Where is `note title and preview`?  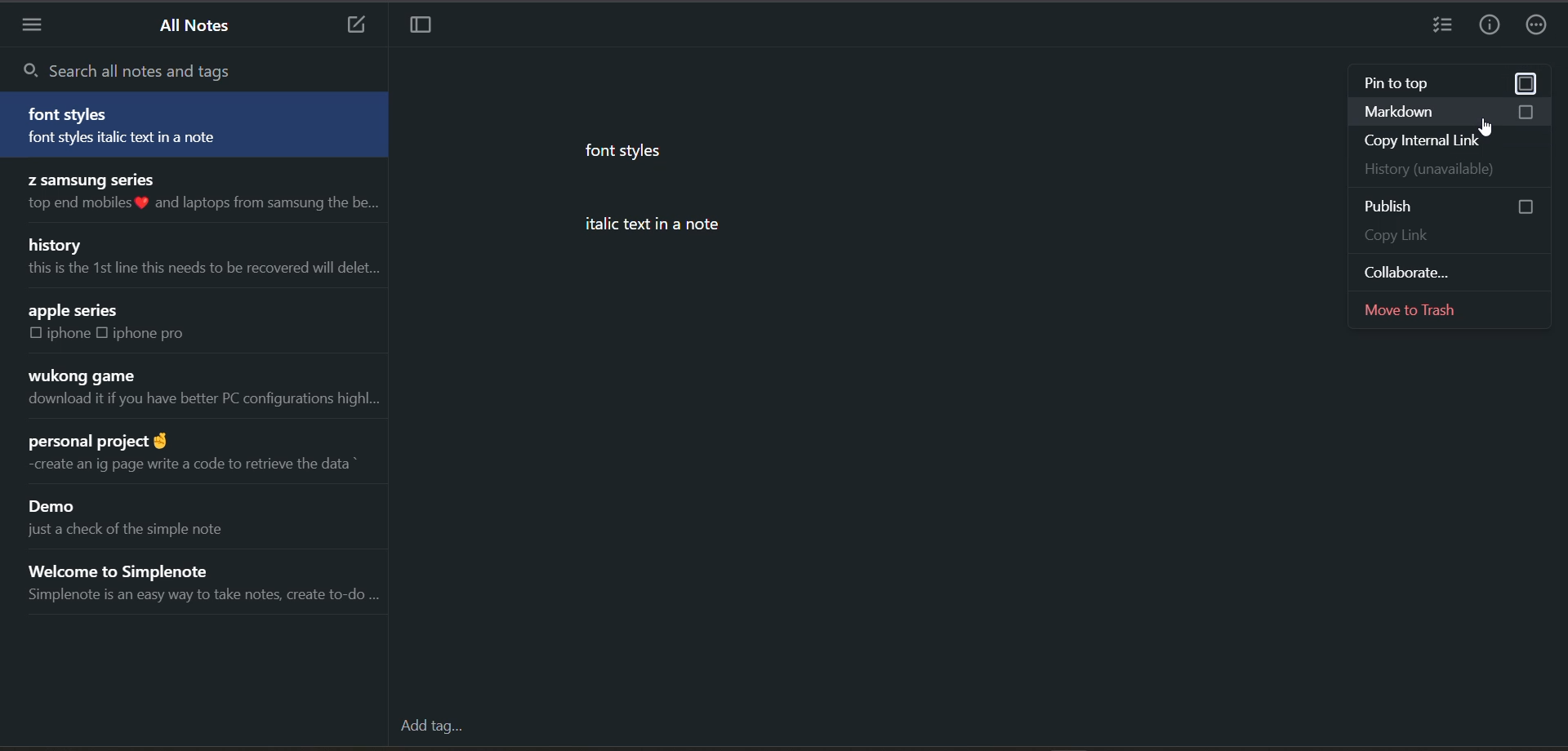 note title and preview is located at coordinates (195, 124).